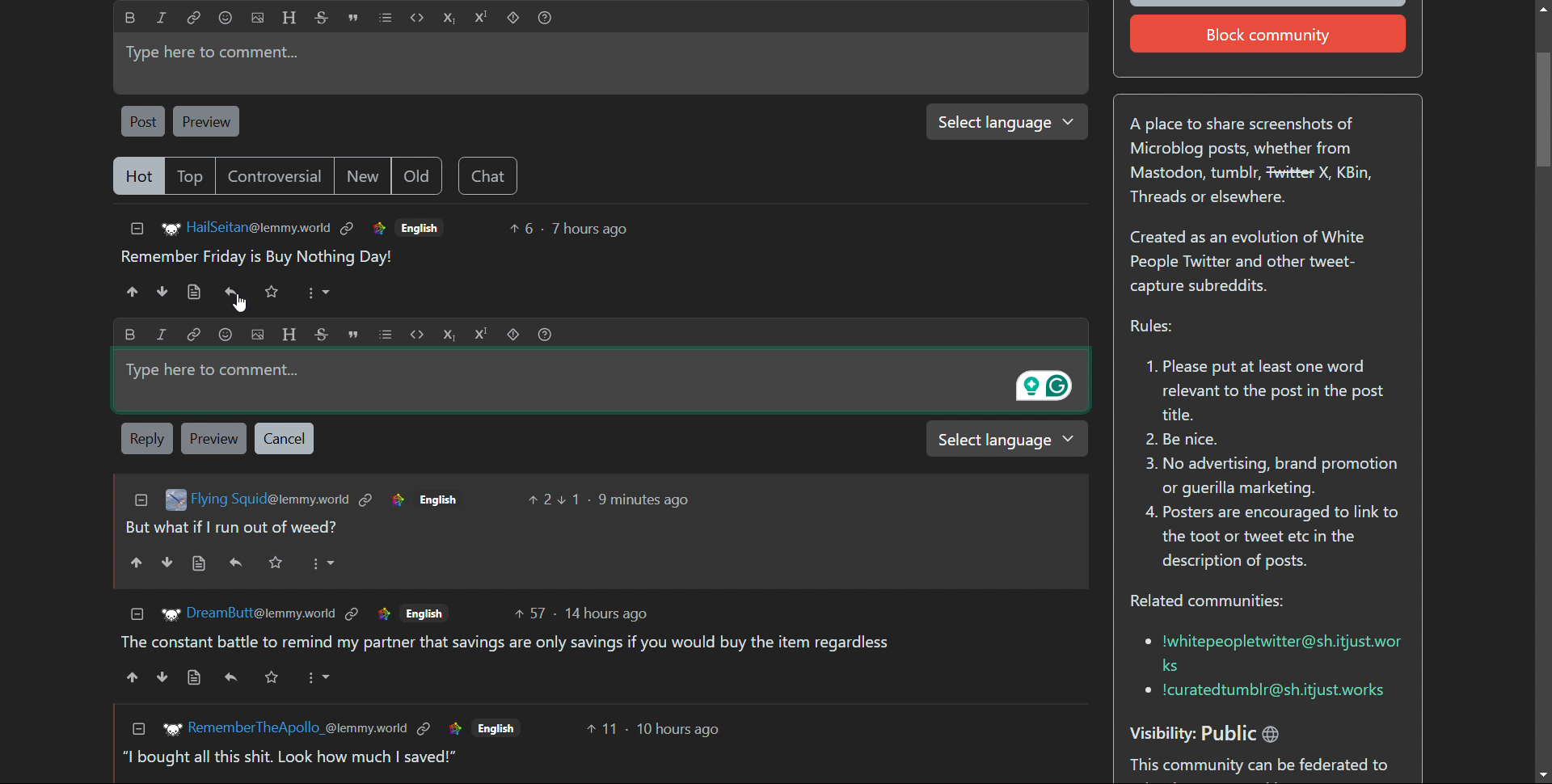 Image resolution: width=1552 pixels, height=784 pixels. What do you see at coordinates (428, 613) in the screenshot?
I see `language` at bounding box center [428, 613].